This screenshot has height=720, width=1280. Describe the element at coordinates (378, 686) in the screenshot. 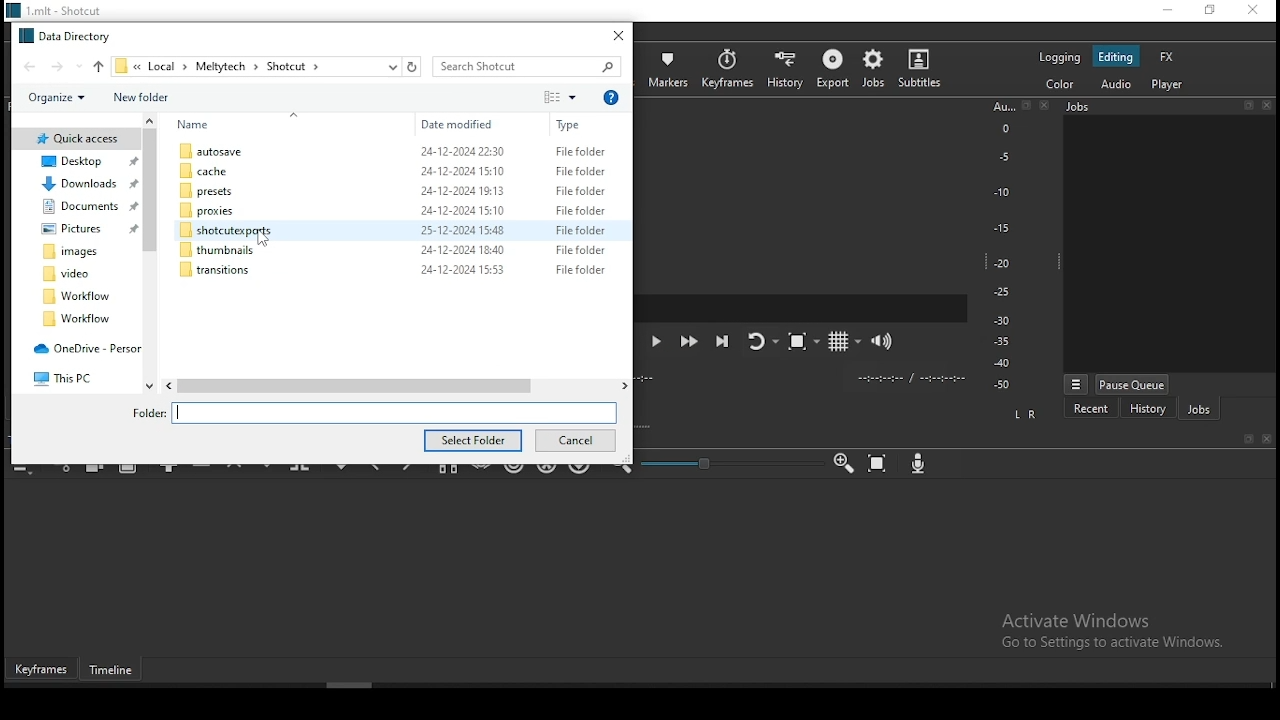

I see `scroll bar` at that location.